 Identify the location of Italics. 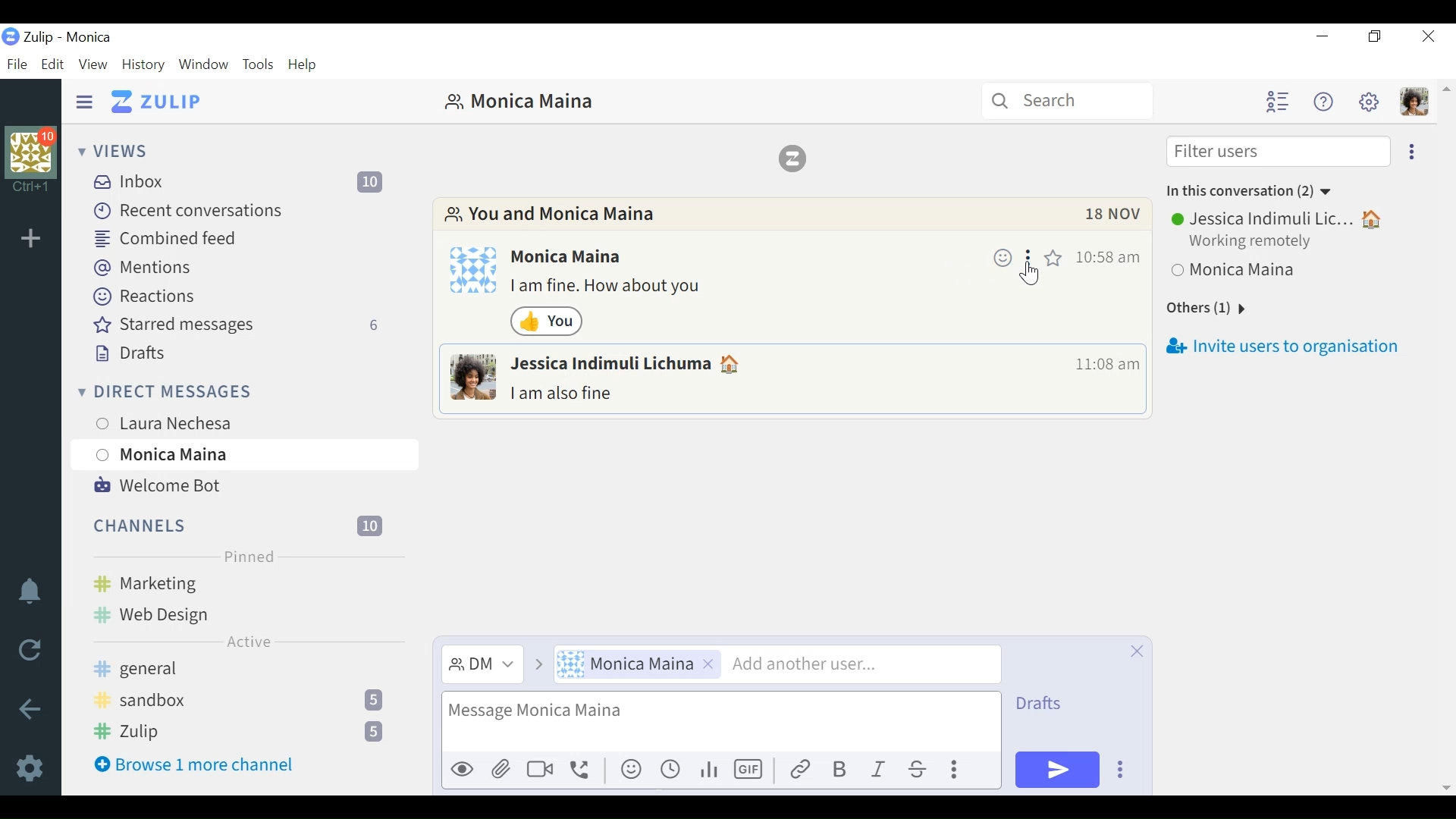
(880, 770).